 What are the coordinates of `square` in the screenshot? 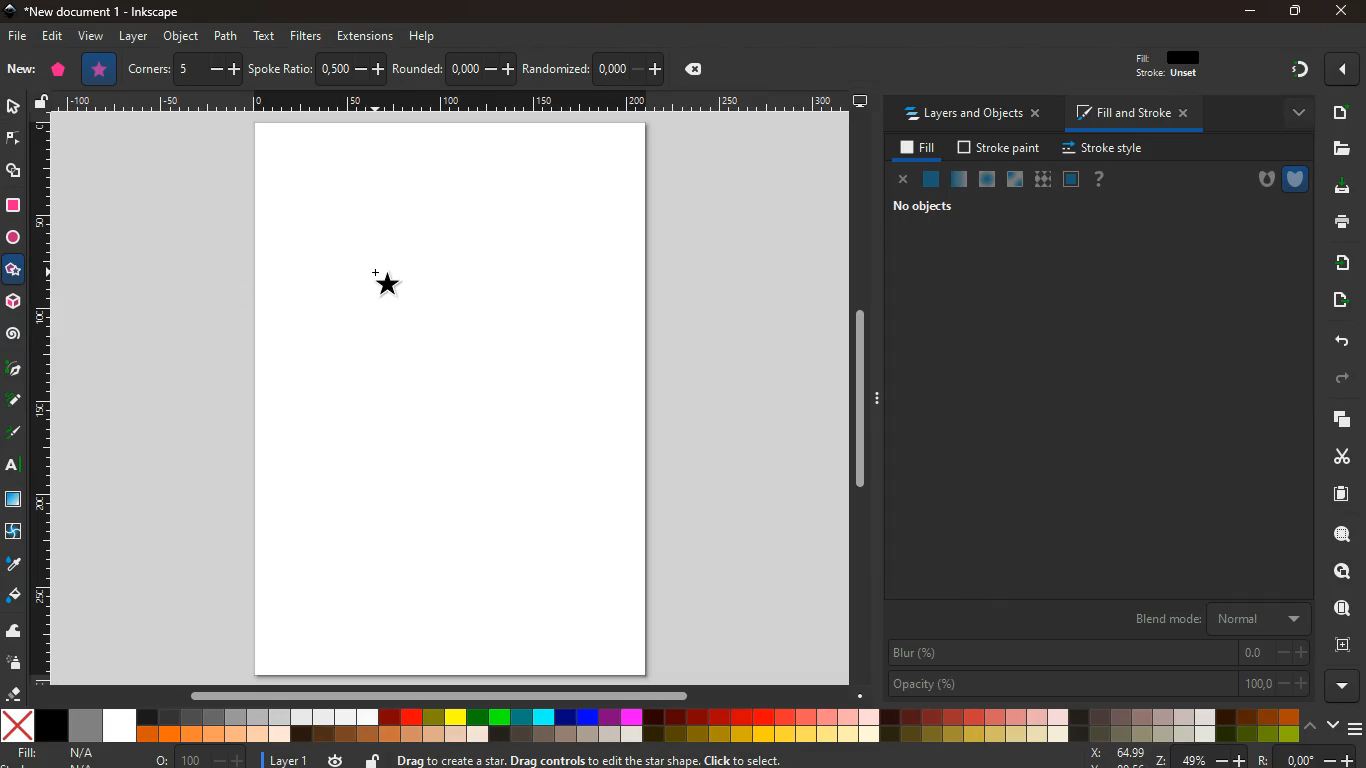 It's located at (13, 501).